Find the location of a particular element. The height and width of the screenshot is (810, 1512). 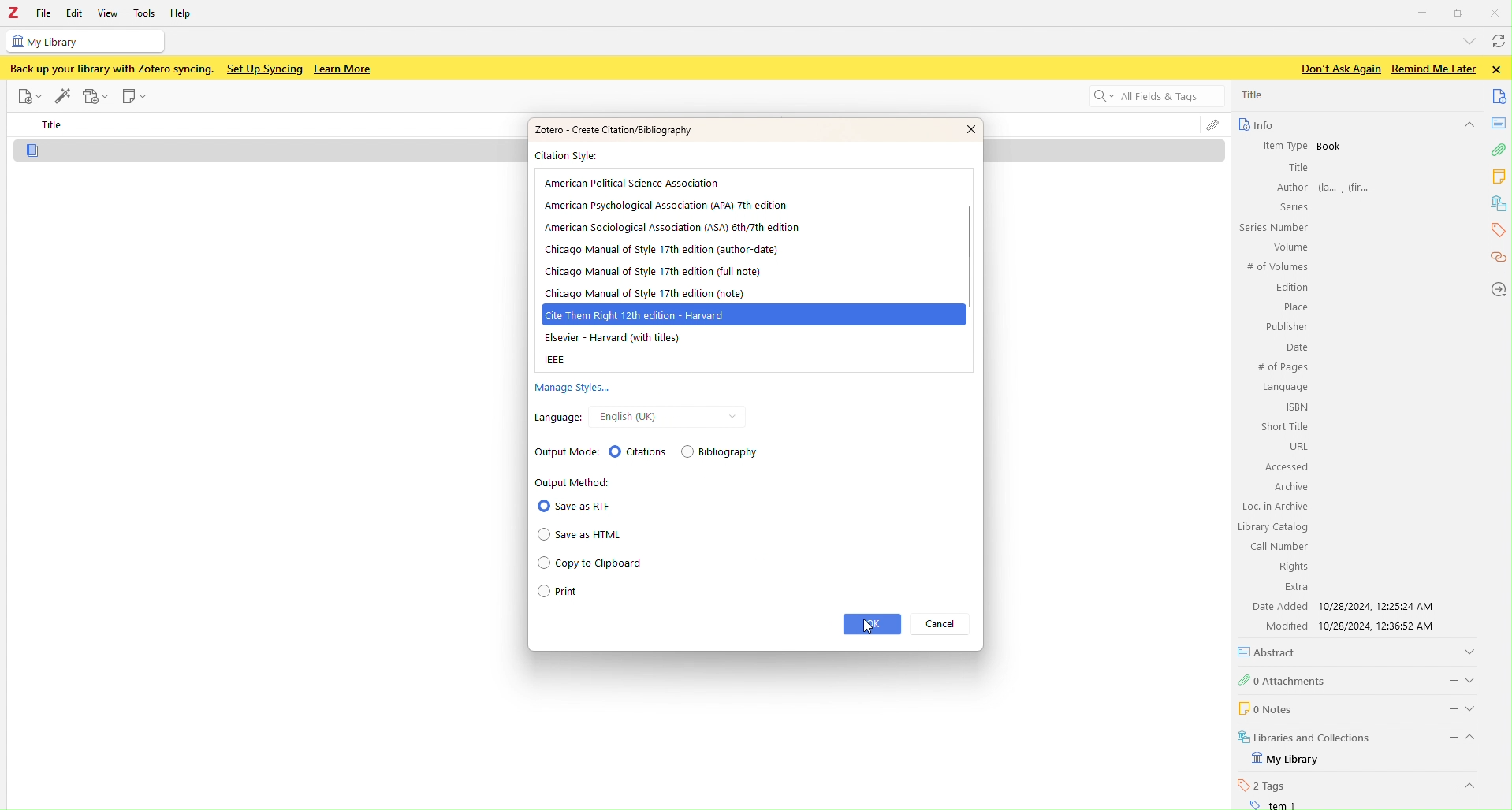

add is located at coordinates (1451, 786).